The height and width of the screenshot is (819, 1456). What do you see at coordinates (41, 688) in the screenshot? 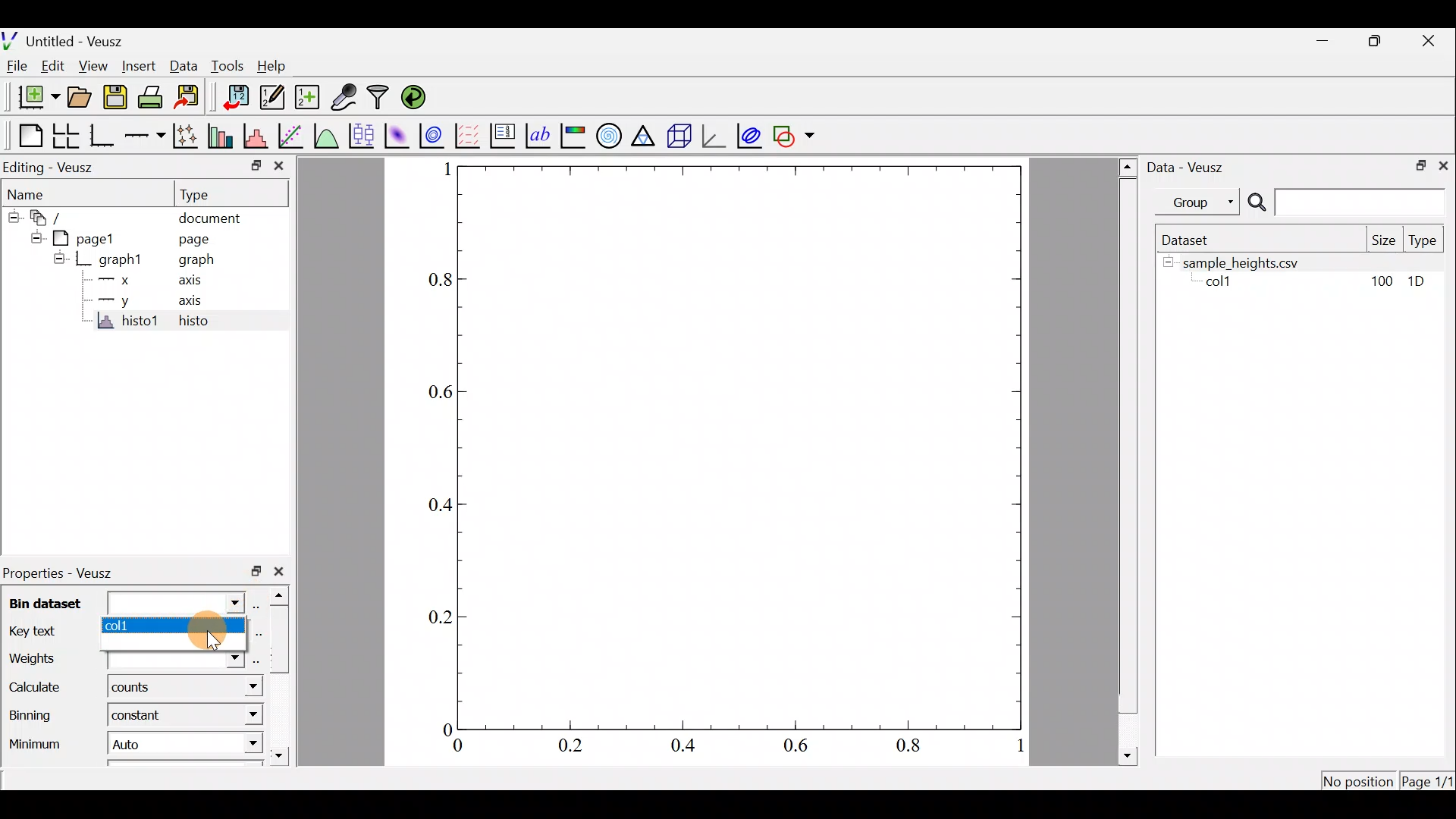
I see `Calculate` at bounding box center [41, 688].